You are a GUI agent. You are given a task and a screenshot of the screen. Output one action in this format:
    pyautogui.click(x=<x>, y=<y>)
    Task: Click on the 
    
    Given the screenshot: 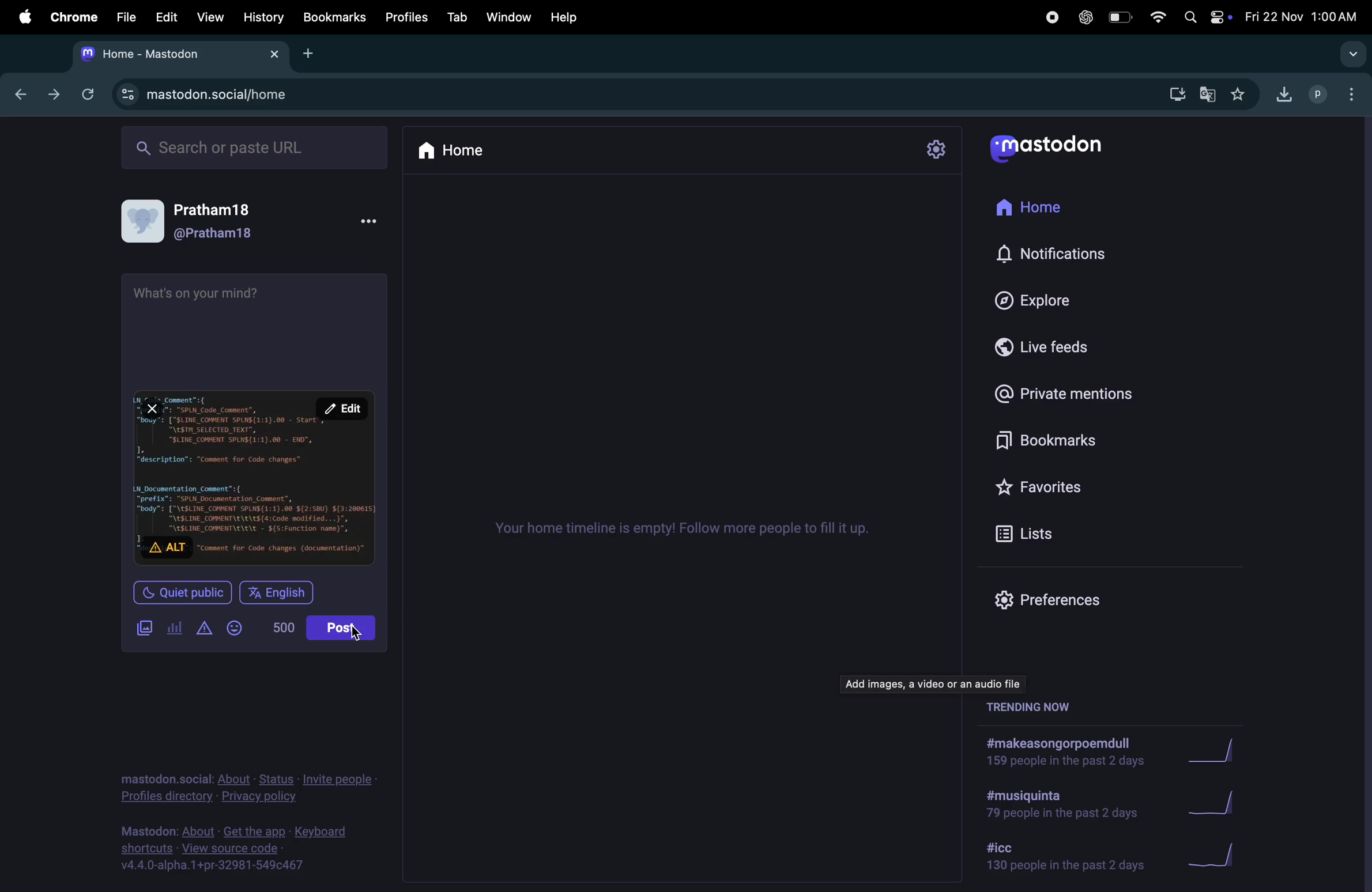 What is the action you would take?
    pyautogui.click(x=404, y=19)
    